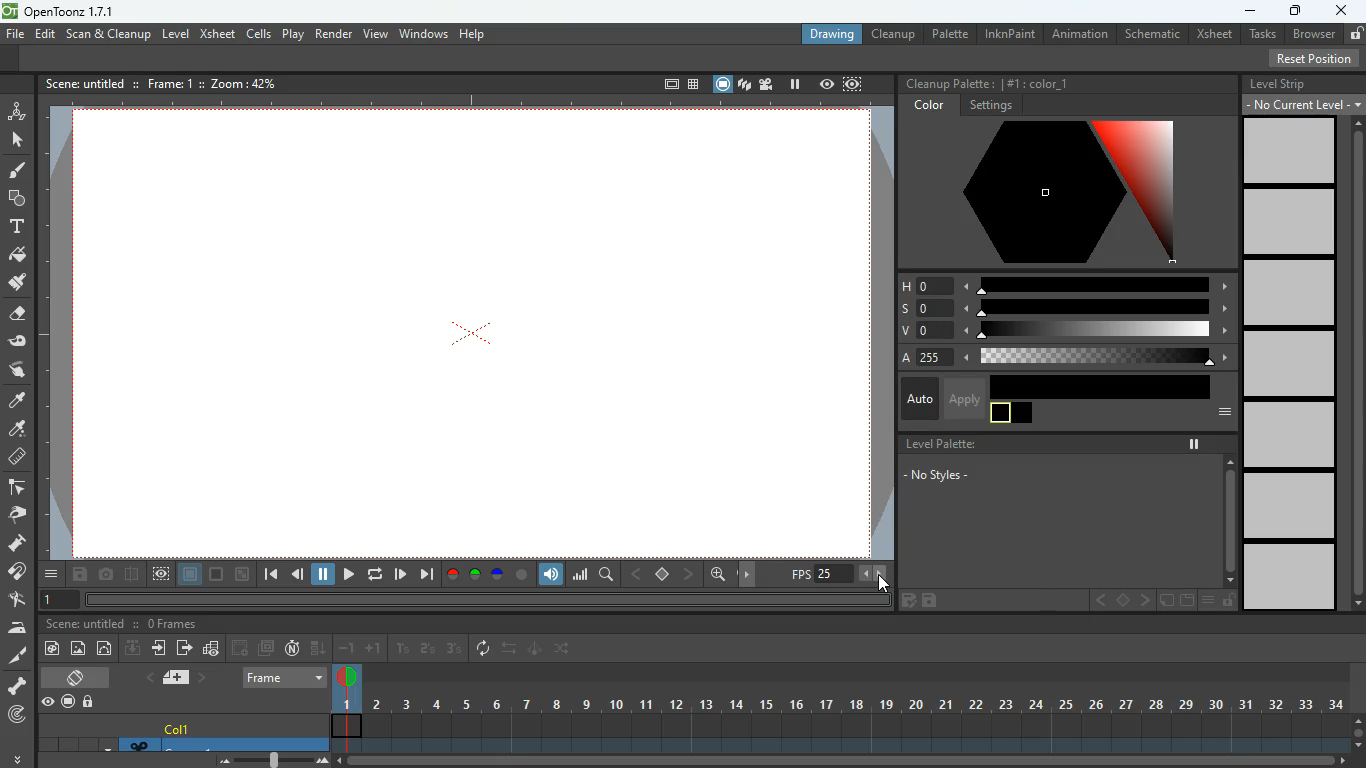 The height and width of the screenshot is (768, 1366). What do you see at coordinates (423, 35) in the screenshot?
I see `windows` at bounding box center [423, 35].